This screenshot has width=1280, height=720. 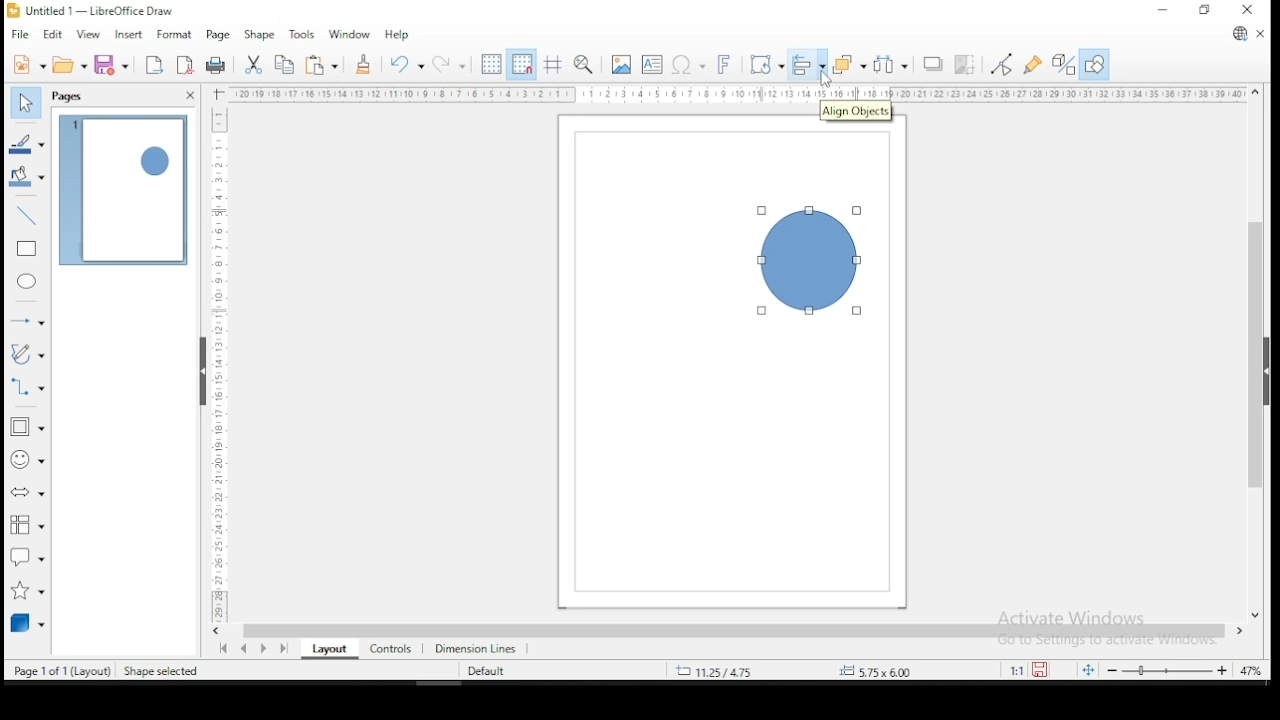 I want to click on show grids, so click(x=489, y=66).